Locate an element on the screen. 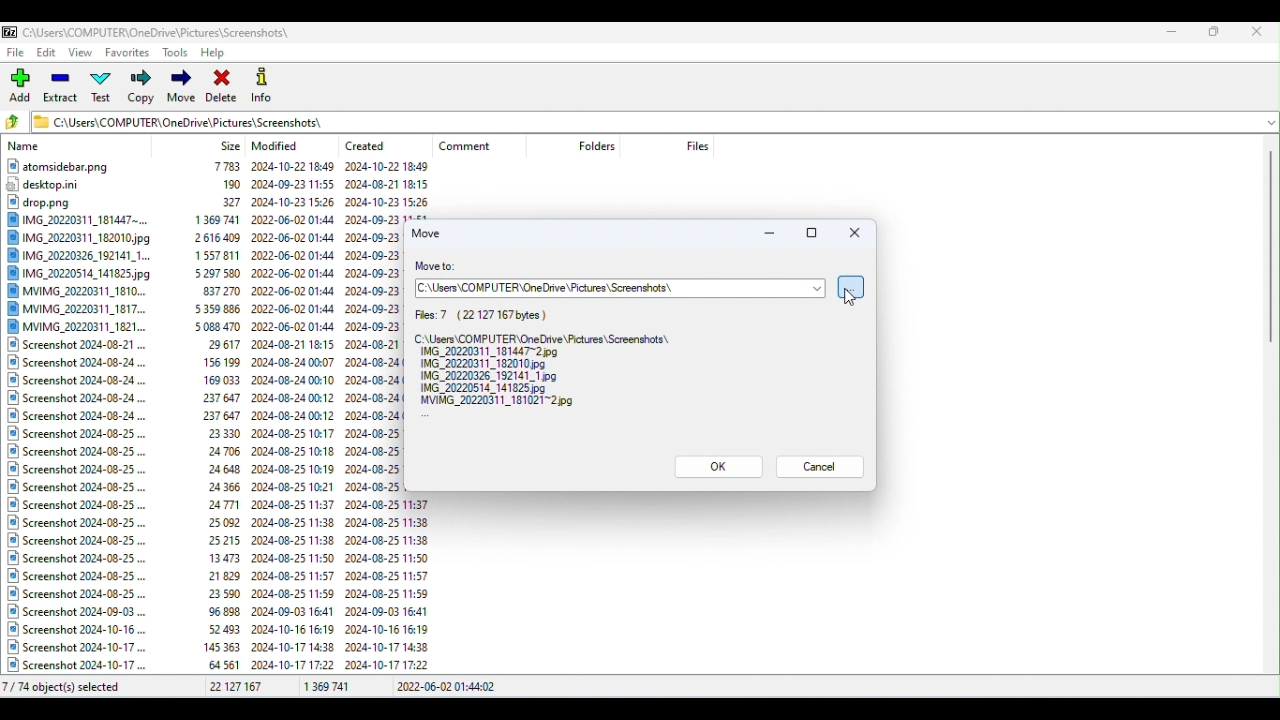  Favorites is located at coordinates (126, 55).